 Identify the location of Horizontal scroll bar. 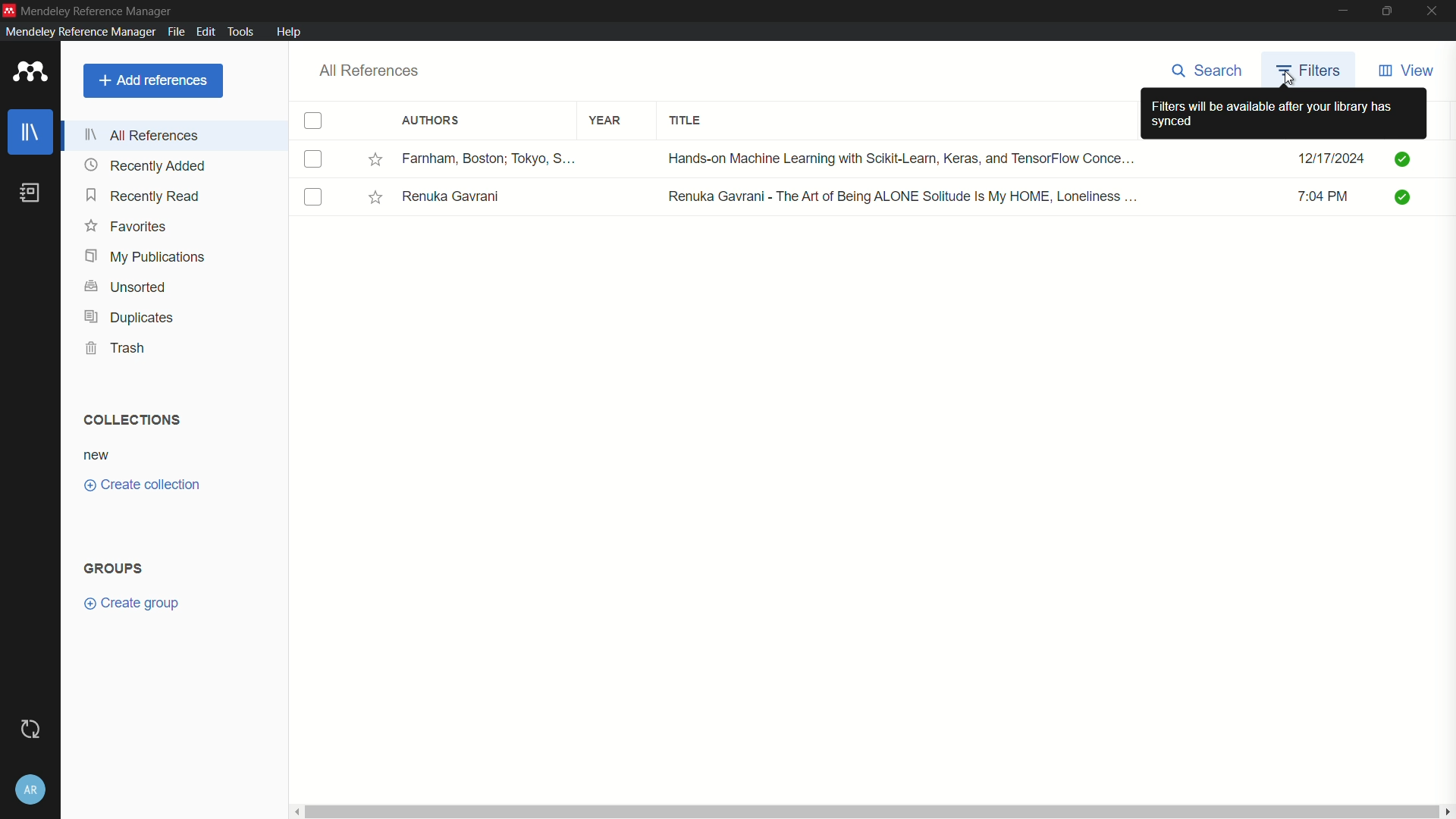
(869, 810).